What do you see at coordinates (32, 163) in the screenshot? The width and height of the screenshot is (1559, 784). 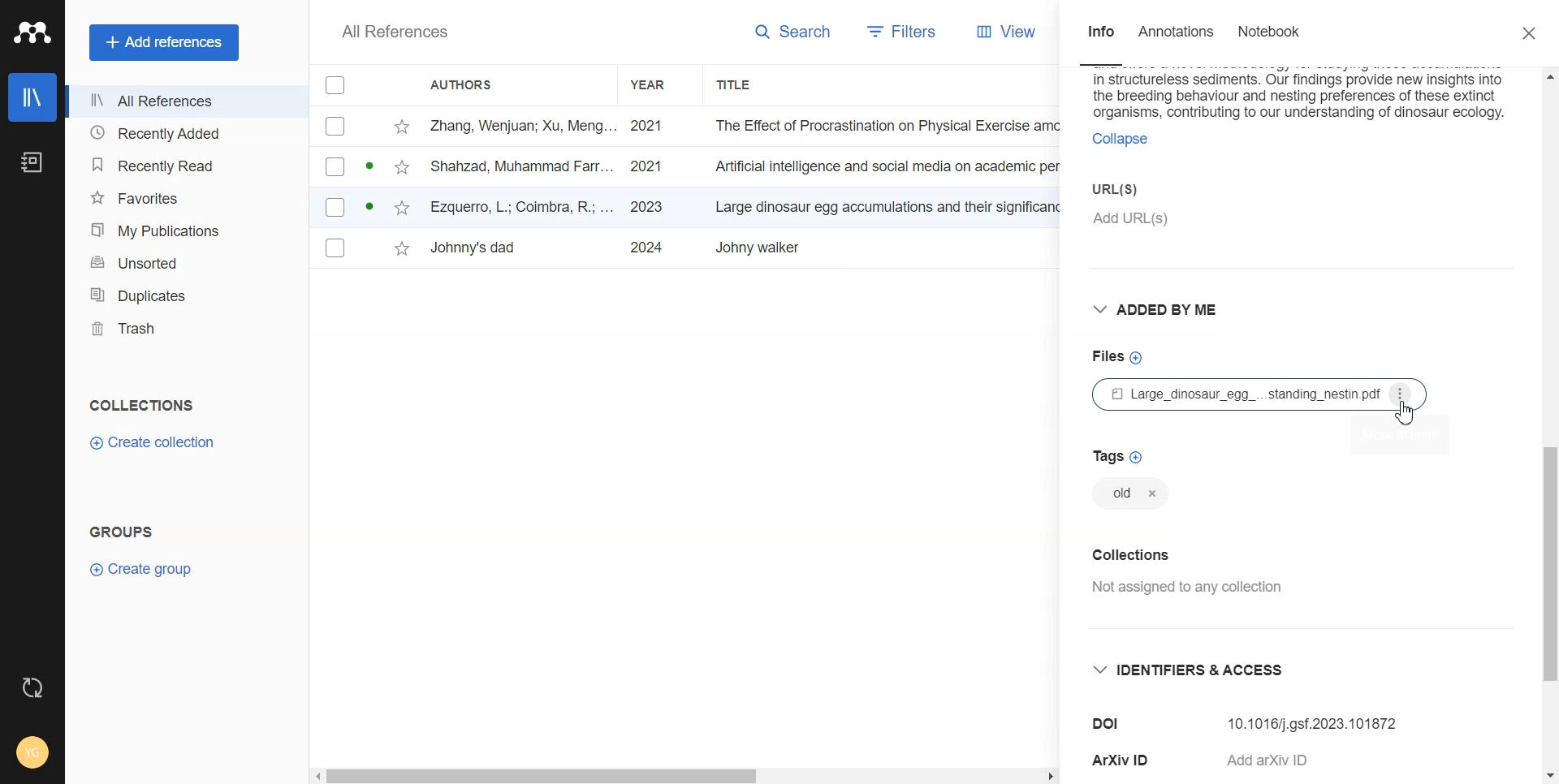 I see `Notebook` at bounding box center [32, 163].